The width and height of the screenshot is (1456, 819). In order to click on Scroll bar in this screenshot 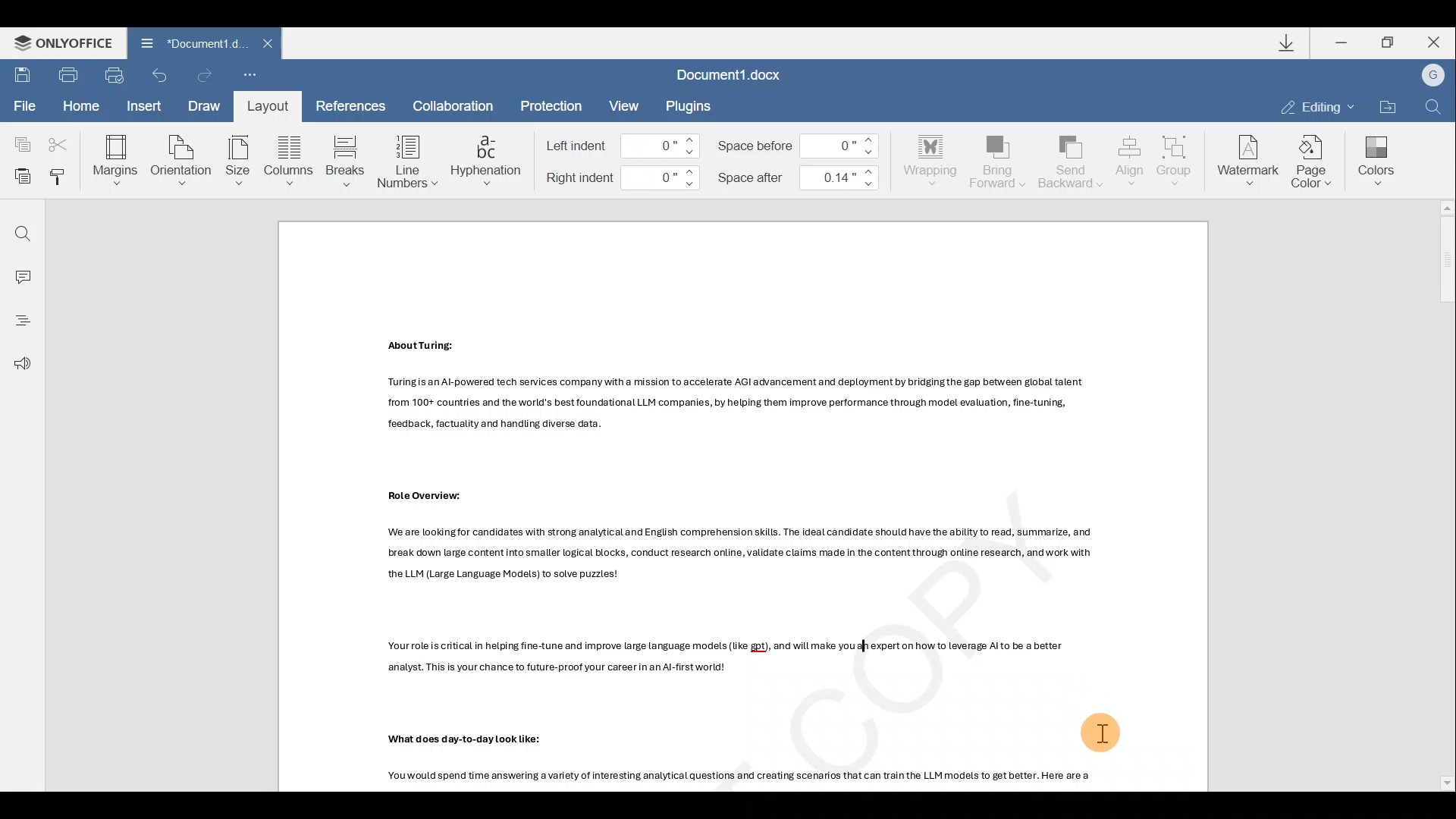, I will do `click(1441, 494)`.